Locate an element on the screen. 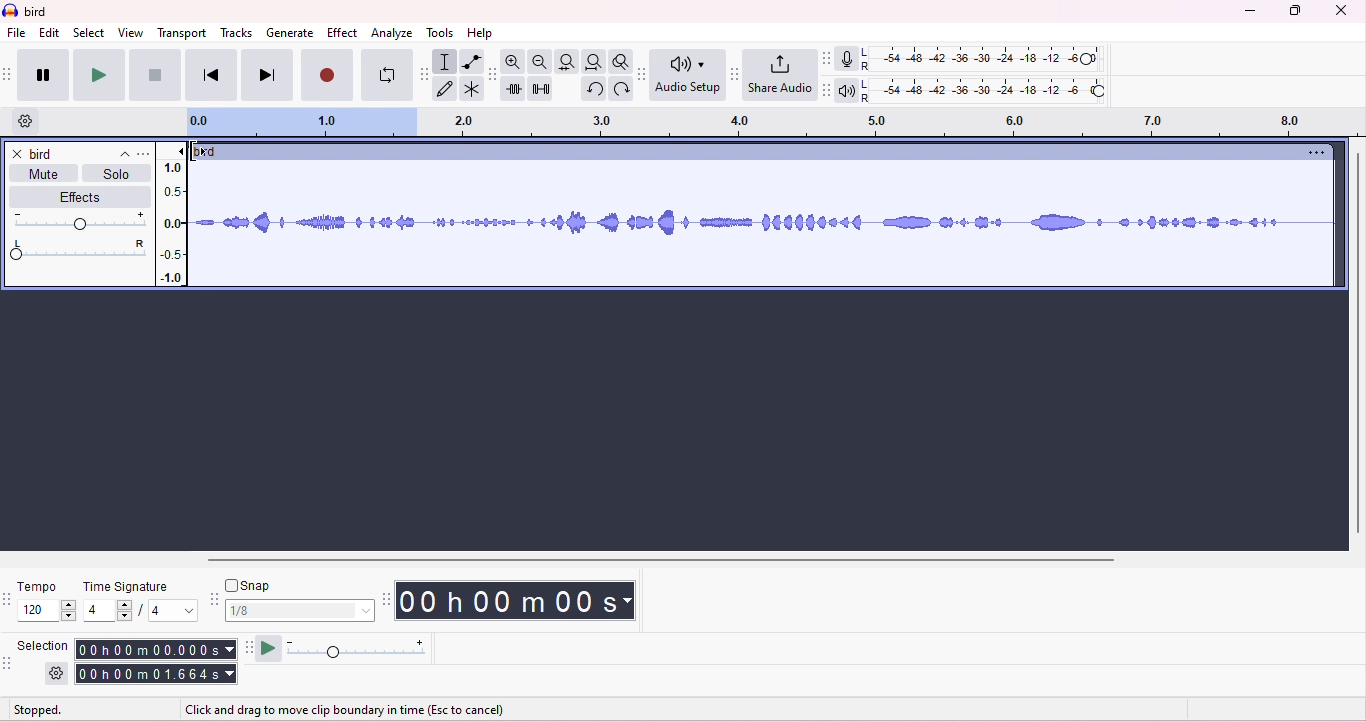  share audio tool bar is located at coordinates (734, 73).